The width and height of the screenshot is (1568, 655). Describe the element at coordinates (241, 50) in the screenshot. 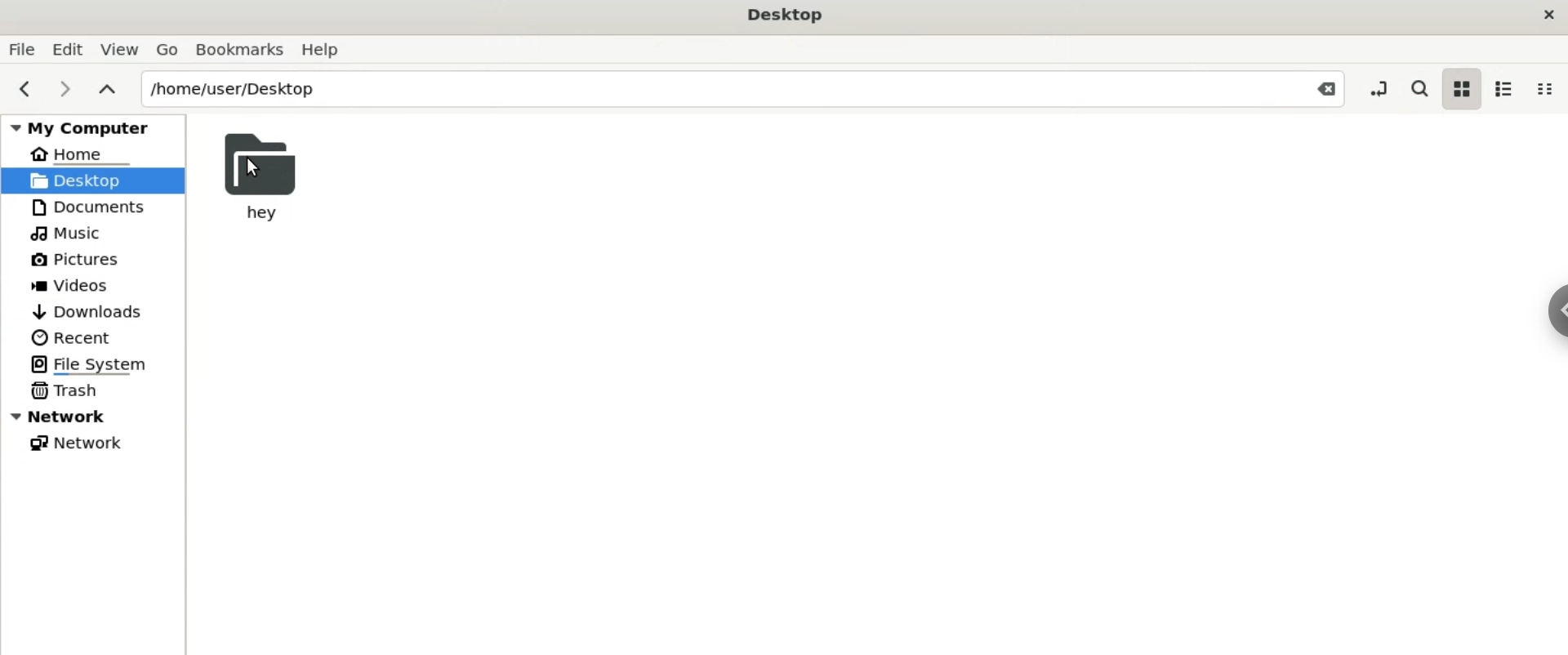

I see `bookmarks` at that location.